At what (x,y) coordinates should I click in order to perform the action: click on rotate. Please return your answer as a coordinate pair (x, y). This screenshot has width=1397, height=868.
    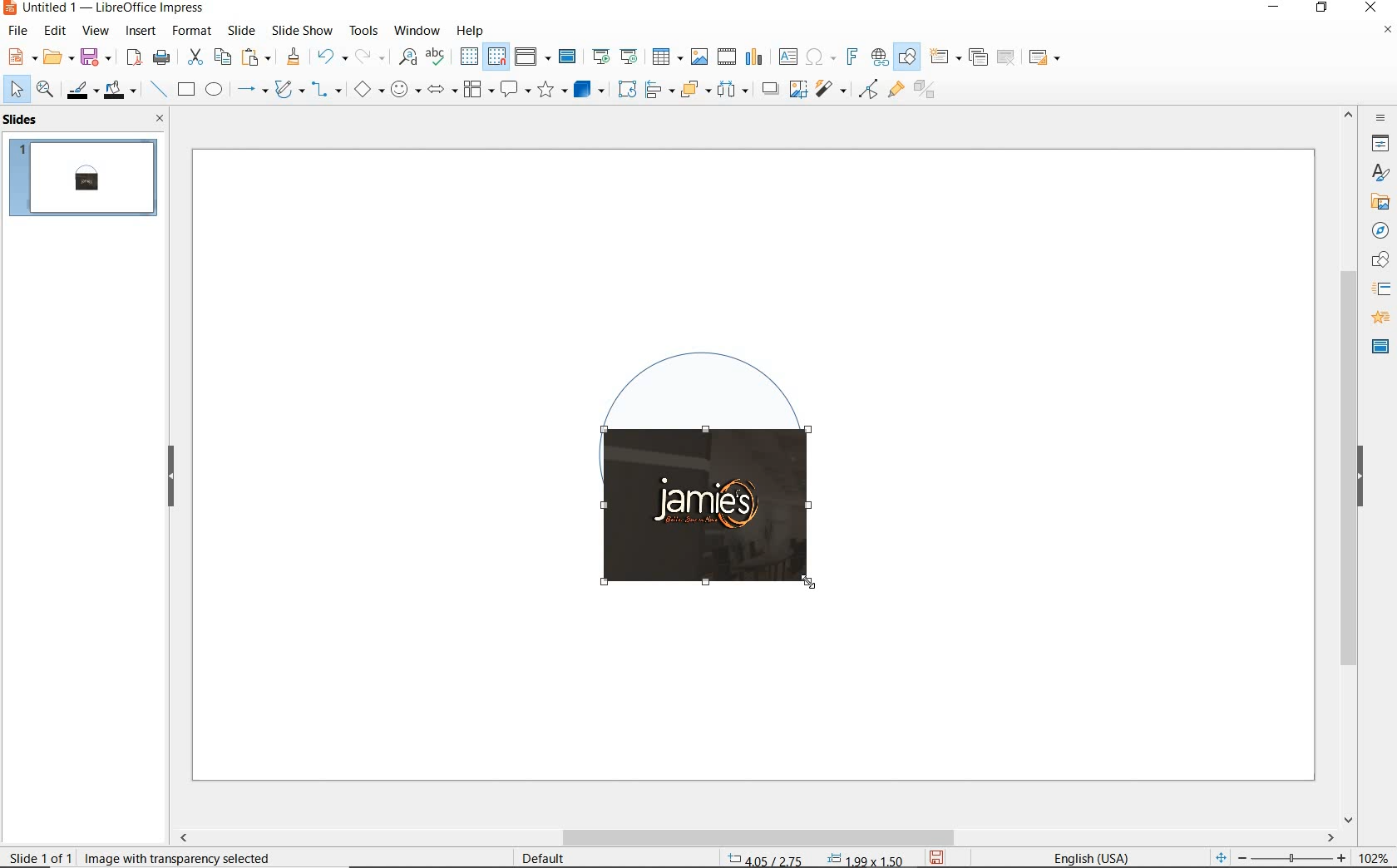
    Looking at the image, I should click on (624, 88).